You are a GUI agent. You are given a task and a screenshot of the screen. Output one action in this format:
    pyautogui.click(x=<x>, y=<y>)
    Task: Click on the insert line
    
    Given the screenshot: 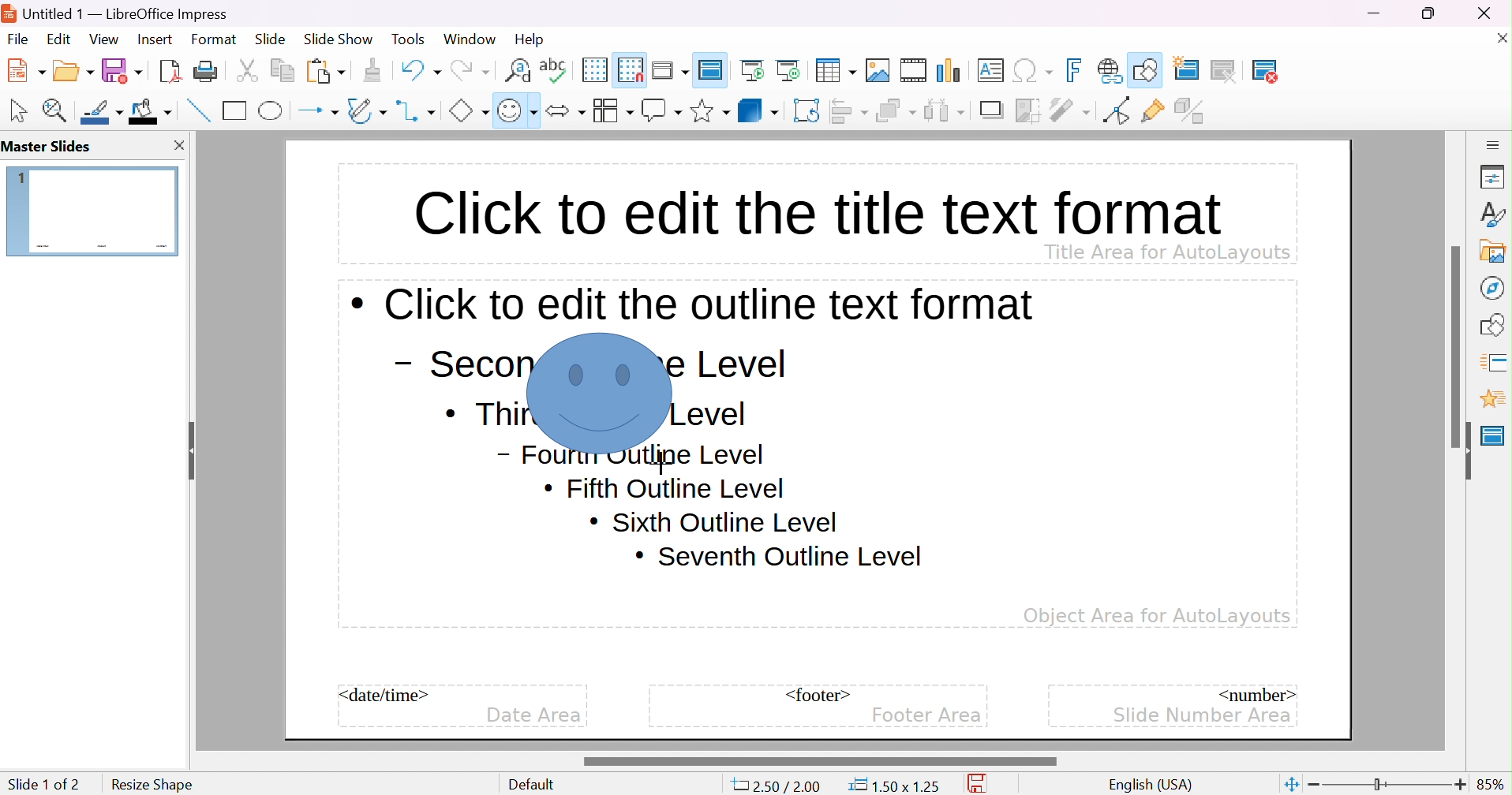 What is the action you would take?
    pyautogui.click(x=196, y=110)
    